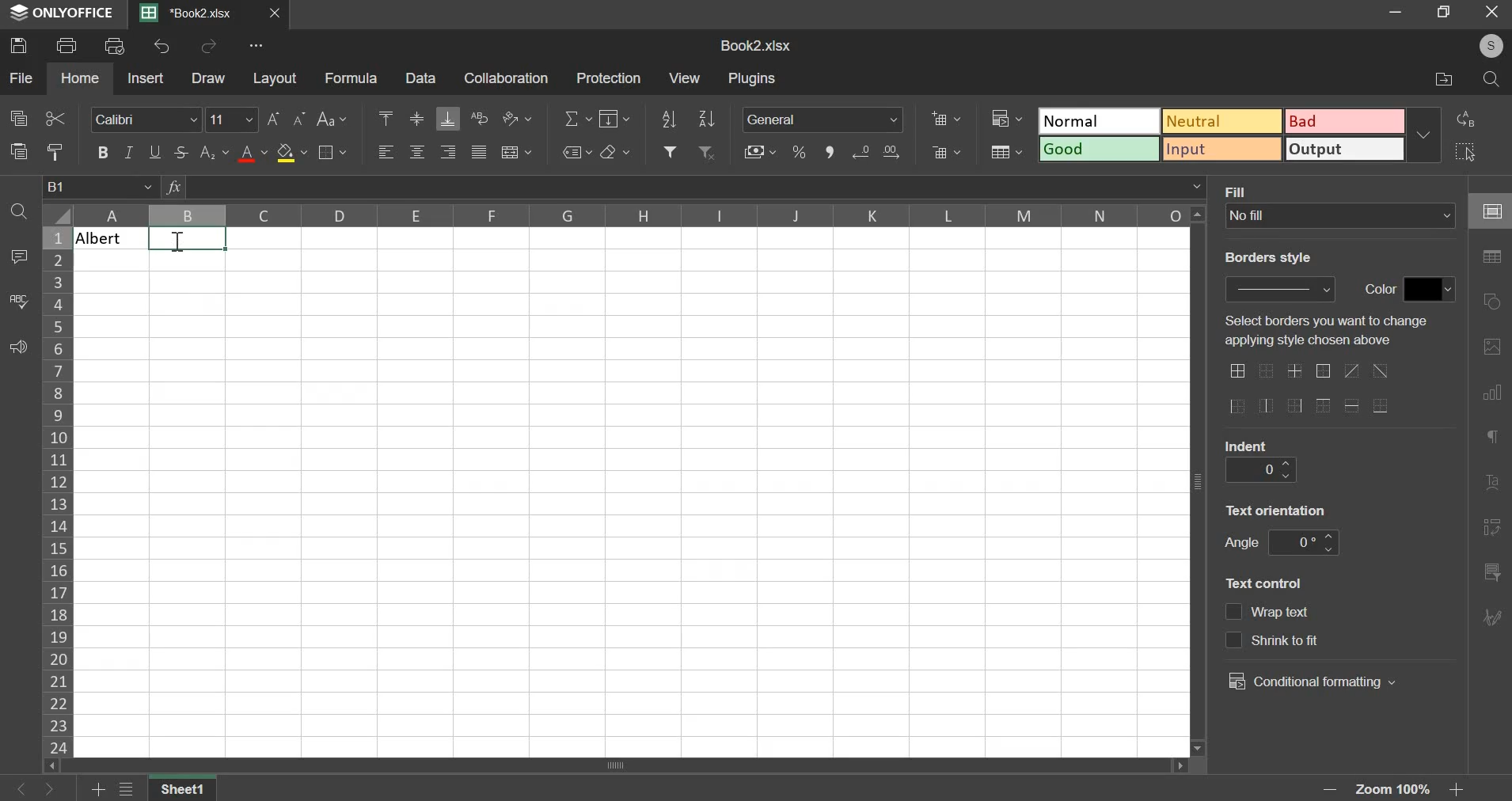  I want to click on fill, so click(614, 119).